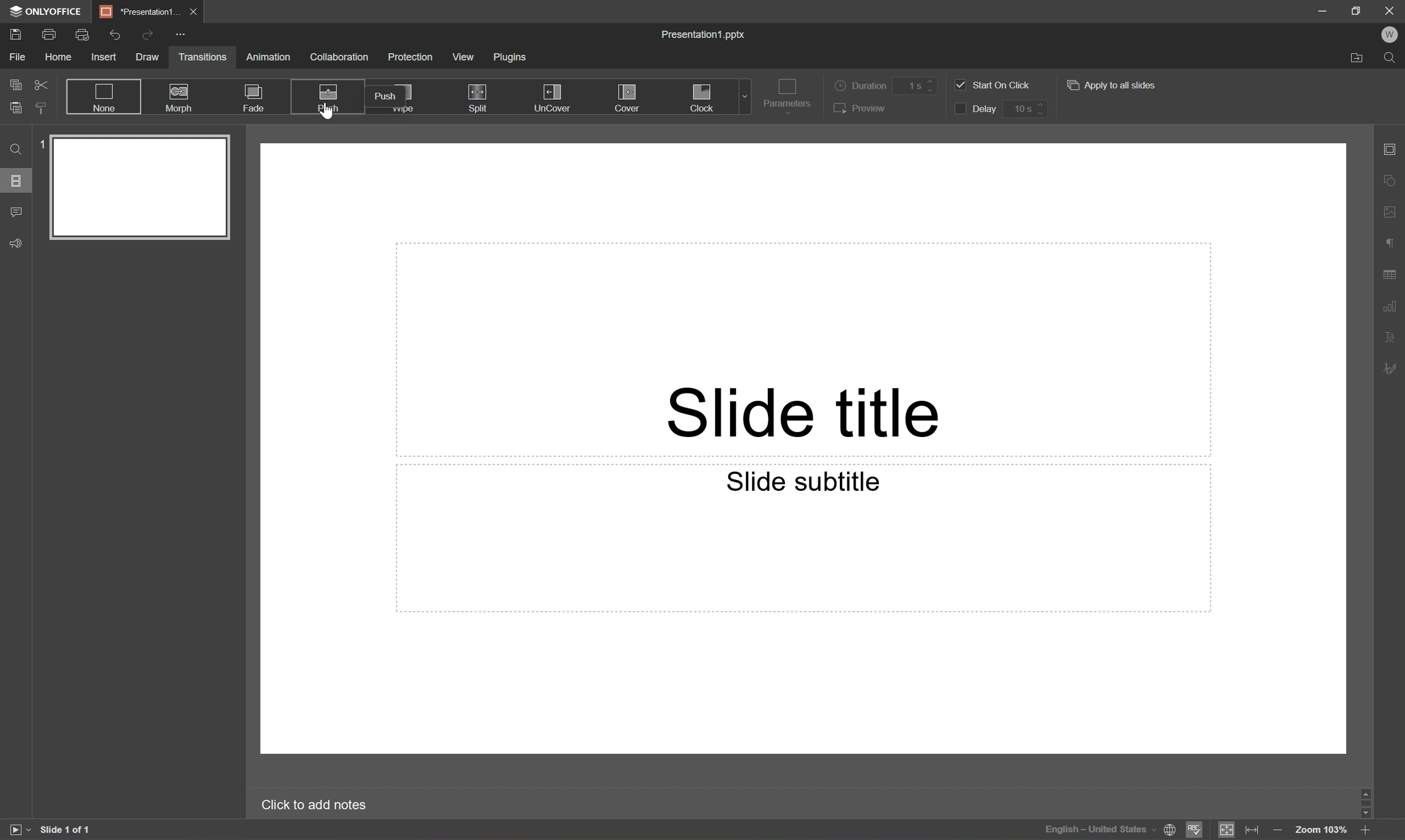  I want to click on Chart settings, so click(1392, 310).